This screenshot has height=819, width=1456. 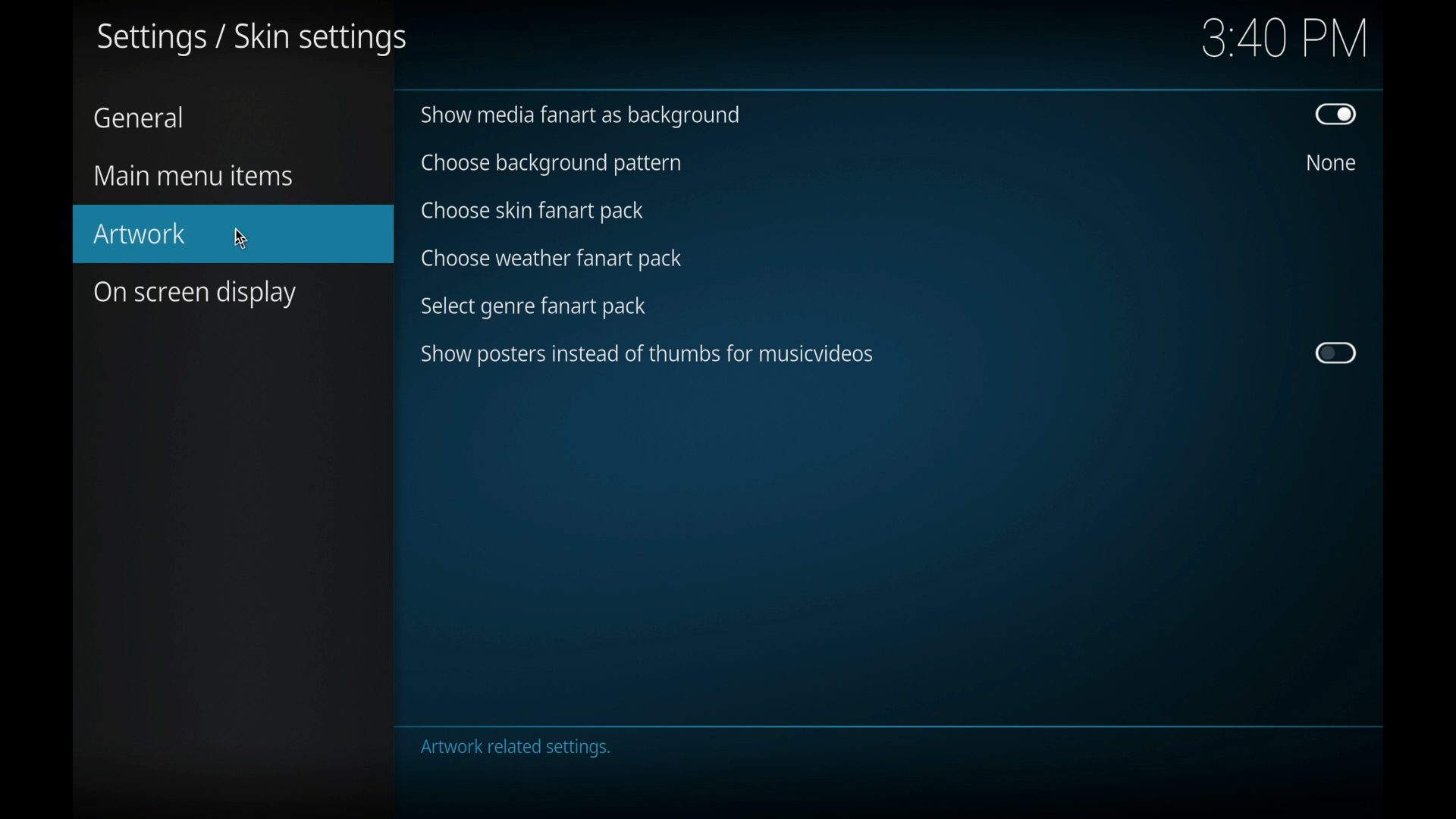 What do you see at coordinates (551, 258) in the screenshot?
I see `choose weather` at bounding box center [551, 258].